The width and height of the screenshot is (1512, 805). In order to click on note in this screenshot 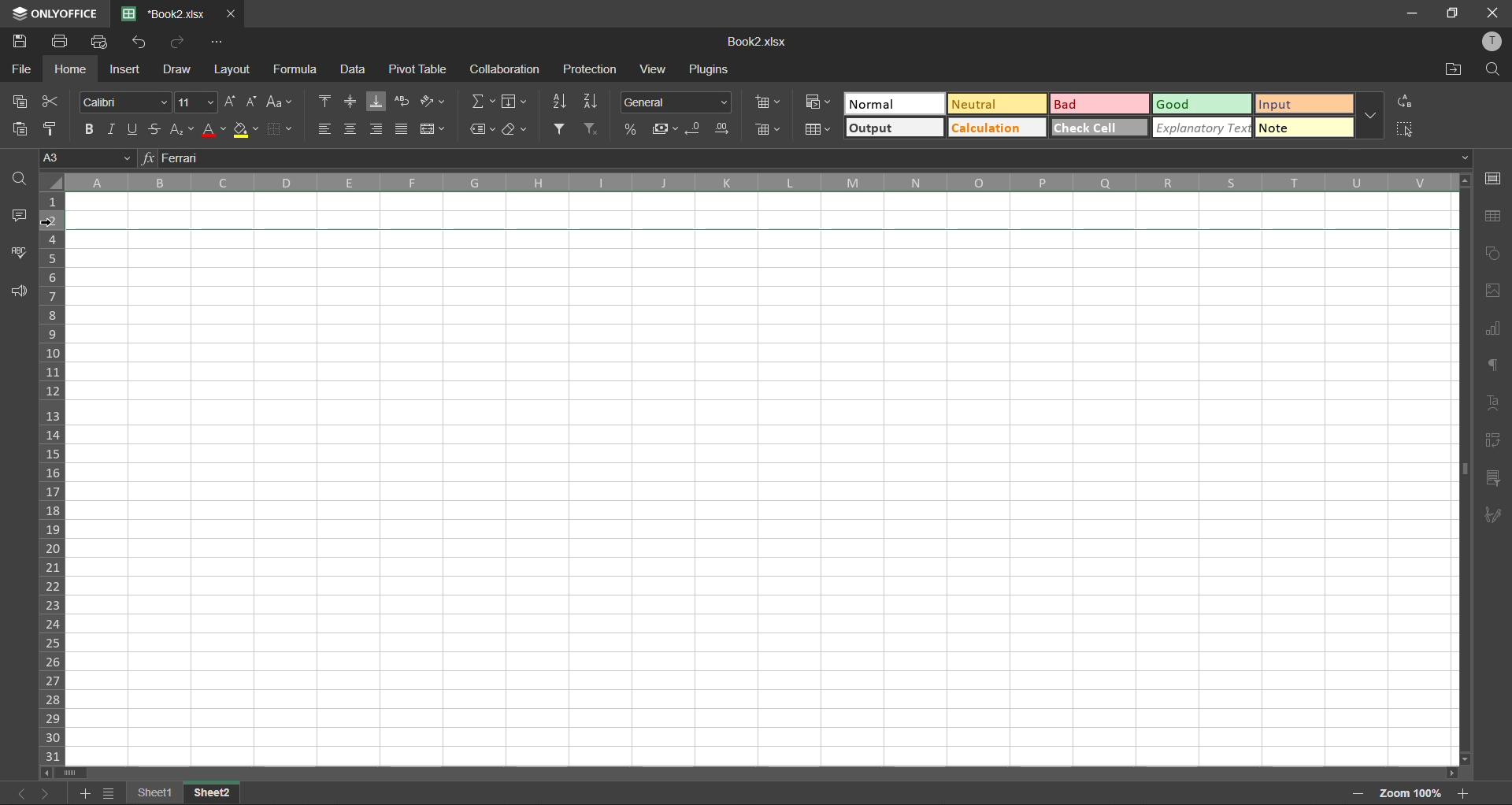, I will do `click(1303, 126)`.